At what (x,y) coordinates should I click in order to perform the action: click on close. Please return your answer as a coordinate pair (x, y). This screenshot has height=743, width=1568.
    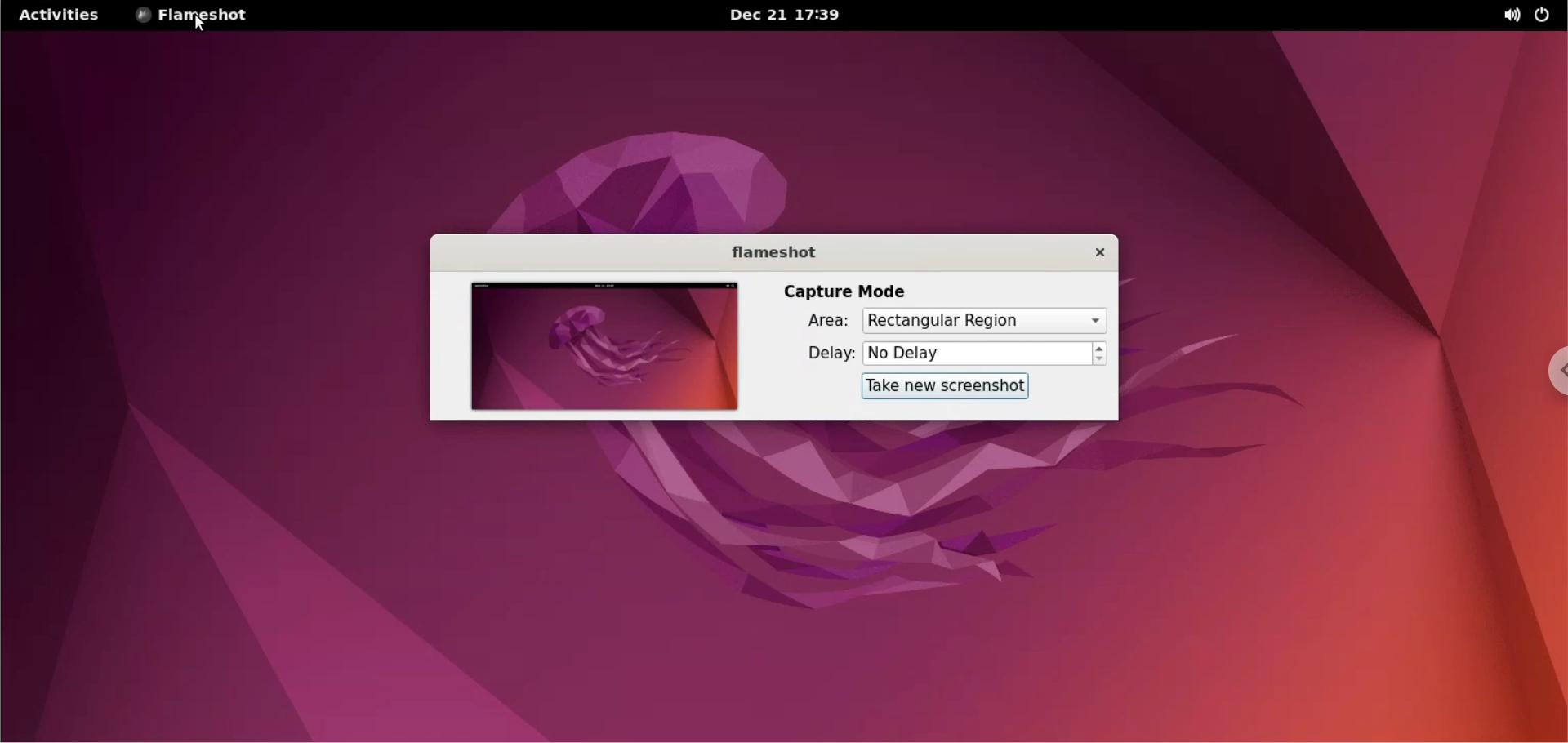
    Looking at the image, I should click on (1091, 251).